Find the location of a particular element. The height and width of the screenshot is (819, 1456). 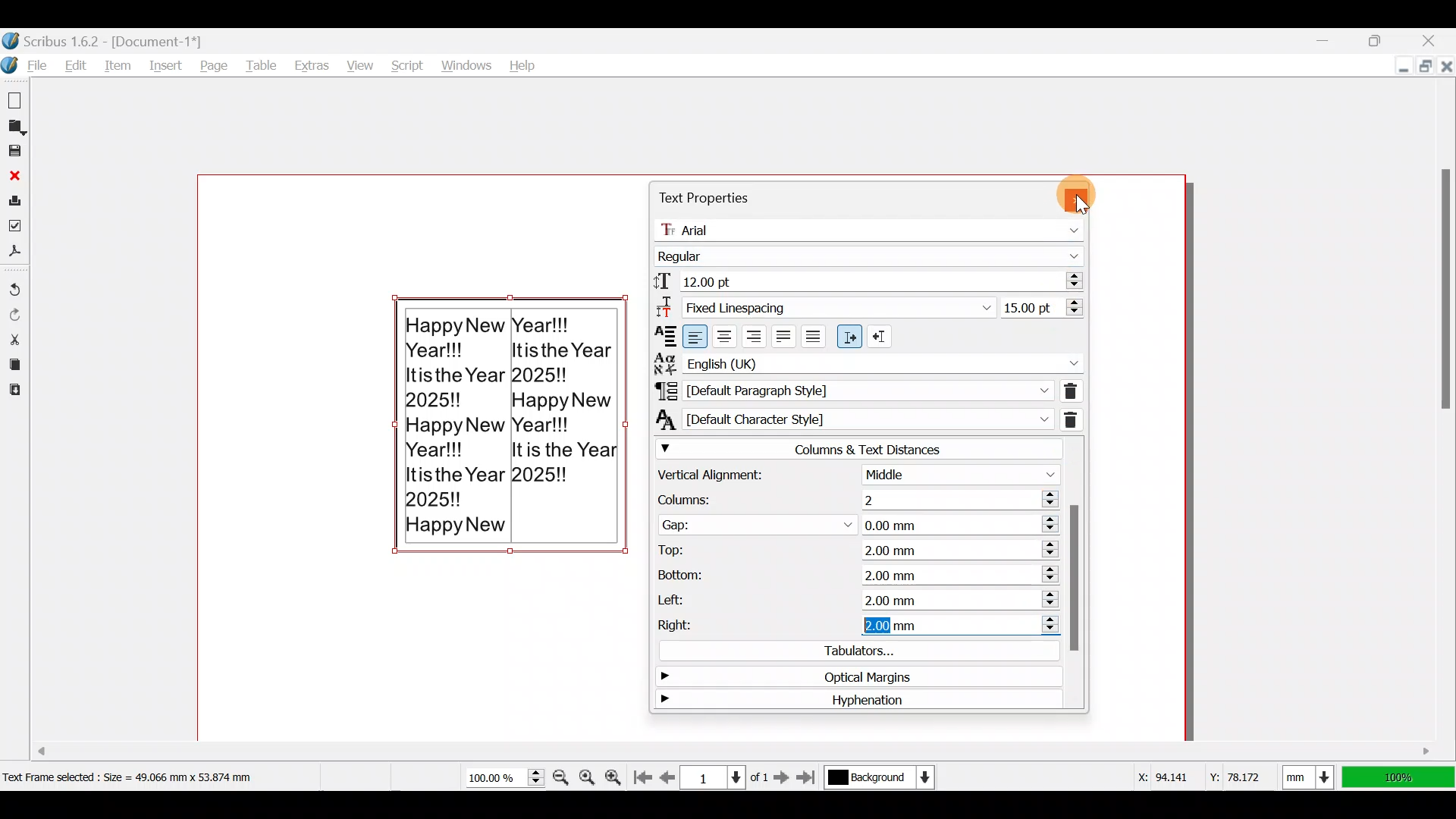

Scroll bar is located at coordinates (613, 748).